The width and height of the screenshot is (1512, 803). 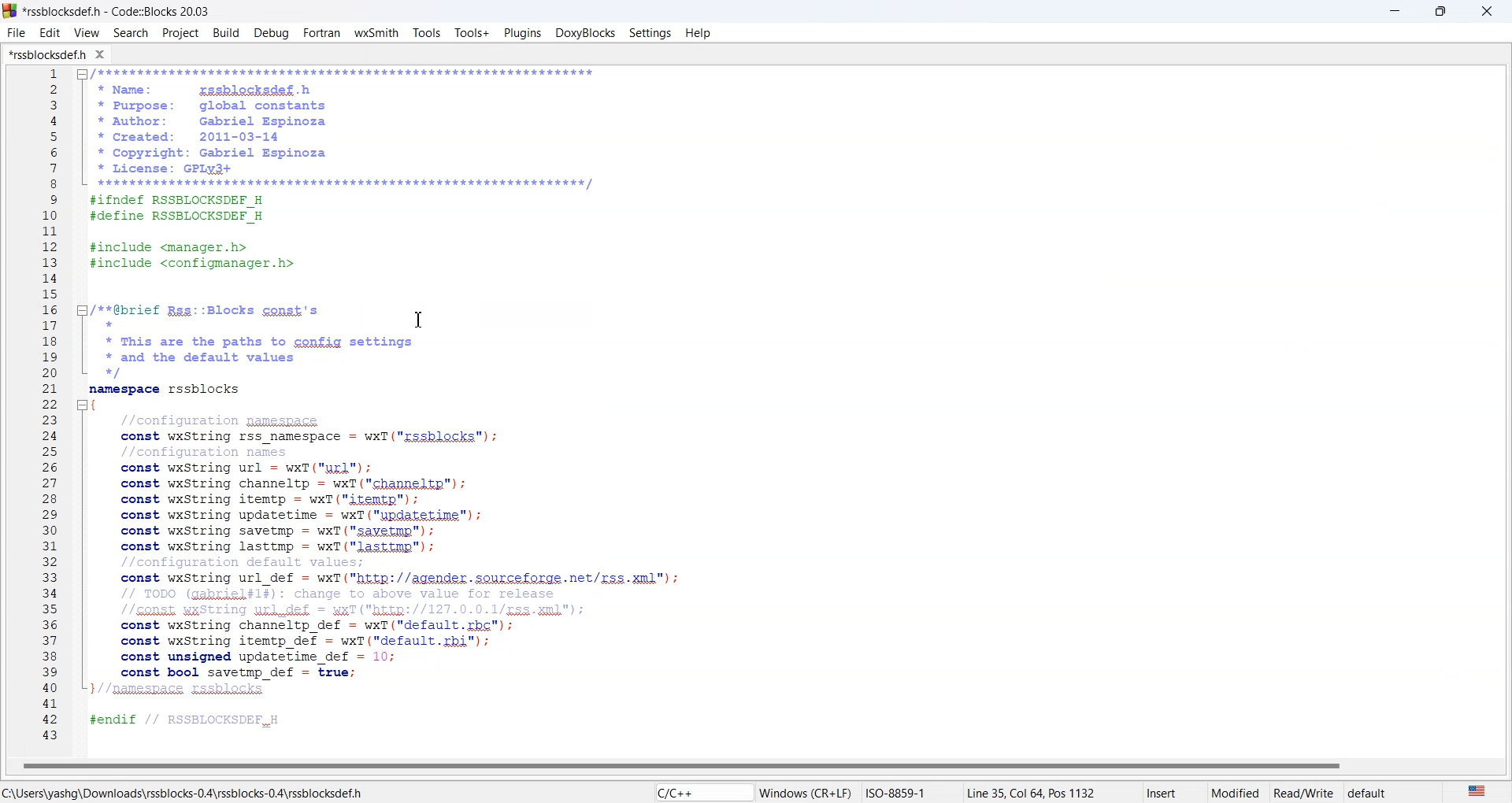 What do you see at coordinates (180, 34) in the screenshot?
I see `Project` at bounding box center [180, 34].